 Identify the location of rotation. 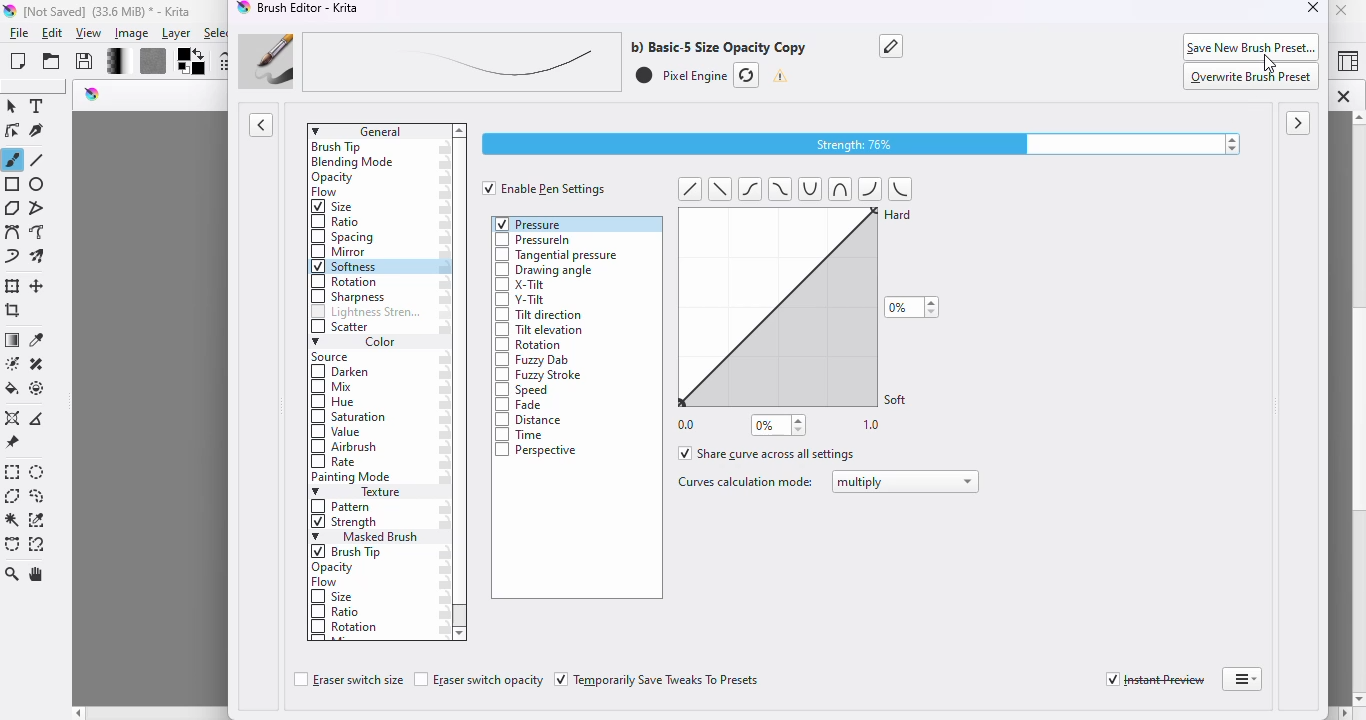
(346, 628).